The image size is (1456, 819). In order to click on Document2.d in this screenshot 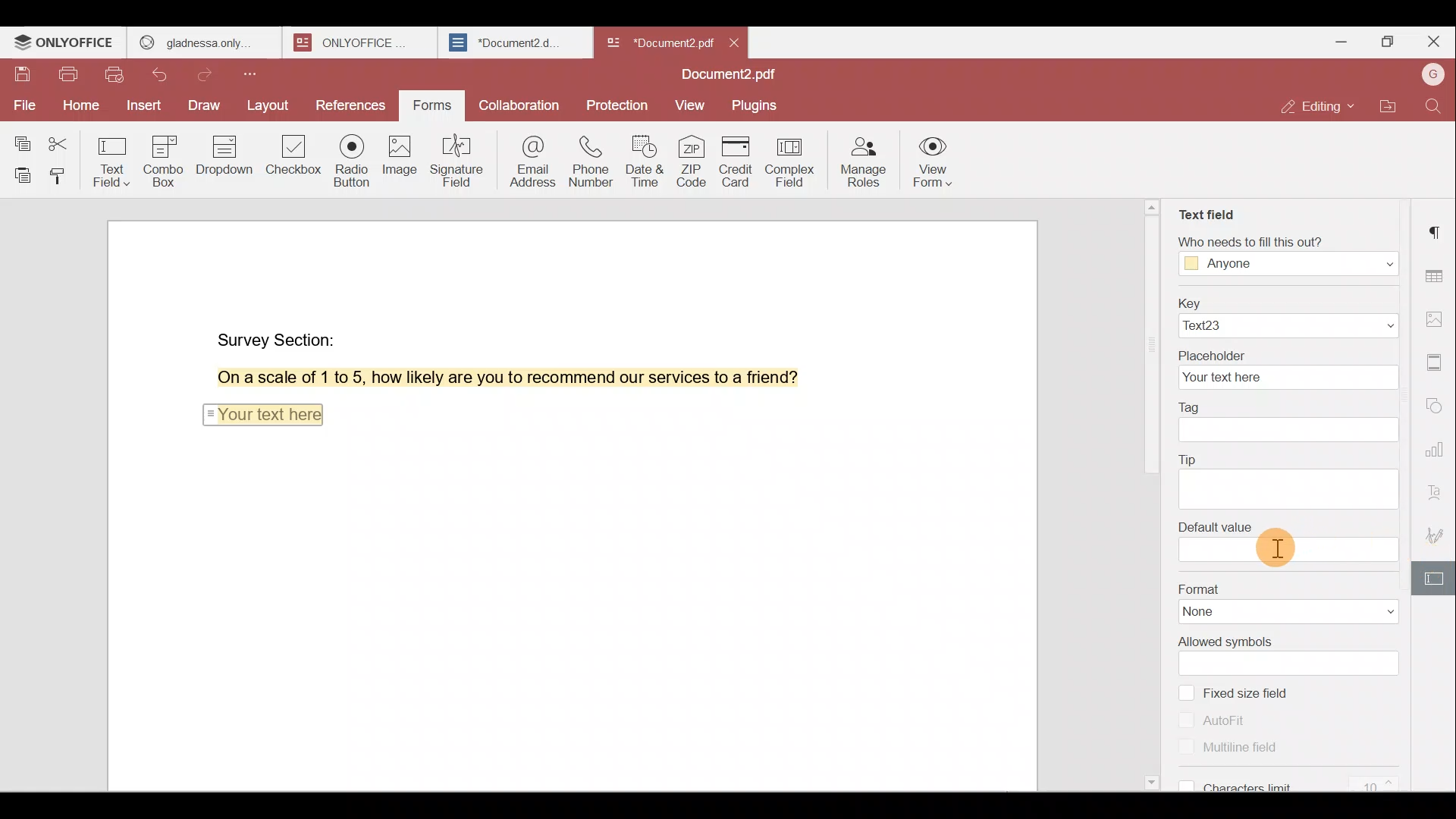, I will do `click(514, 43)`.